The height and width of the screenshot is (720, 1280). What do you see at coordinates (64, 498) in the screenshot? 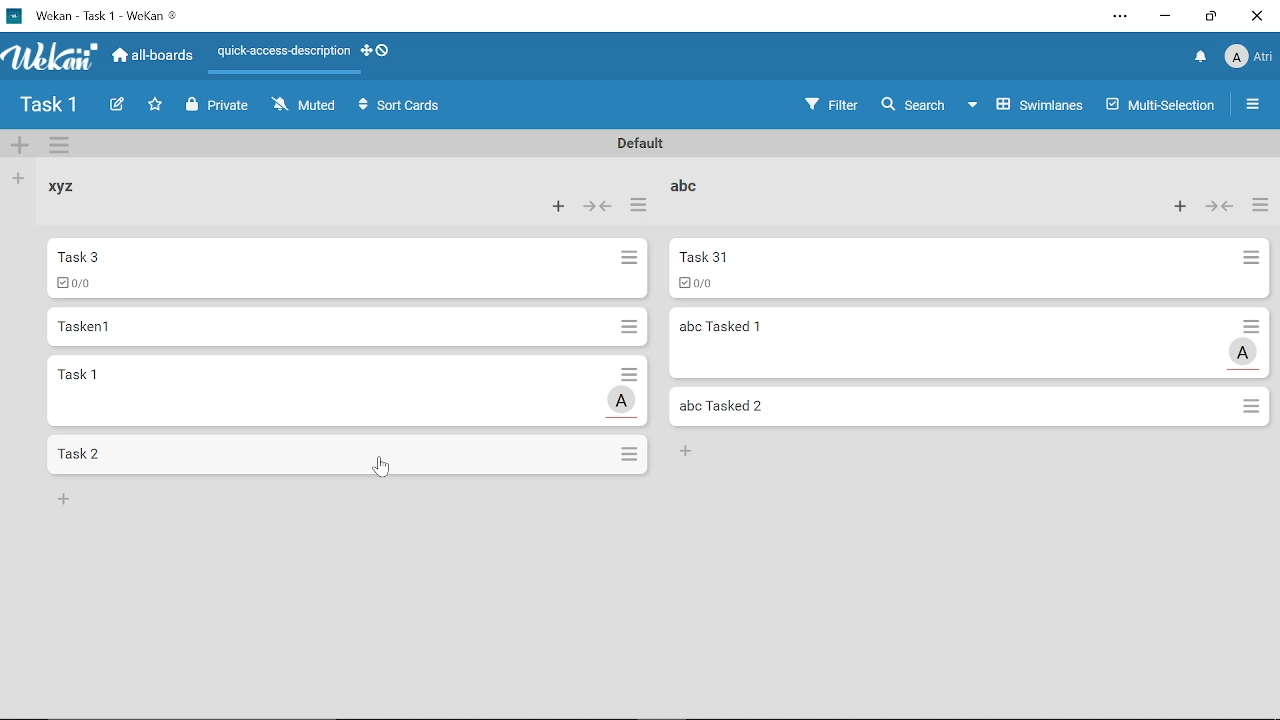
I see `New` at bounding box center [64, 498].